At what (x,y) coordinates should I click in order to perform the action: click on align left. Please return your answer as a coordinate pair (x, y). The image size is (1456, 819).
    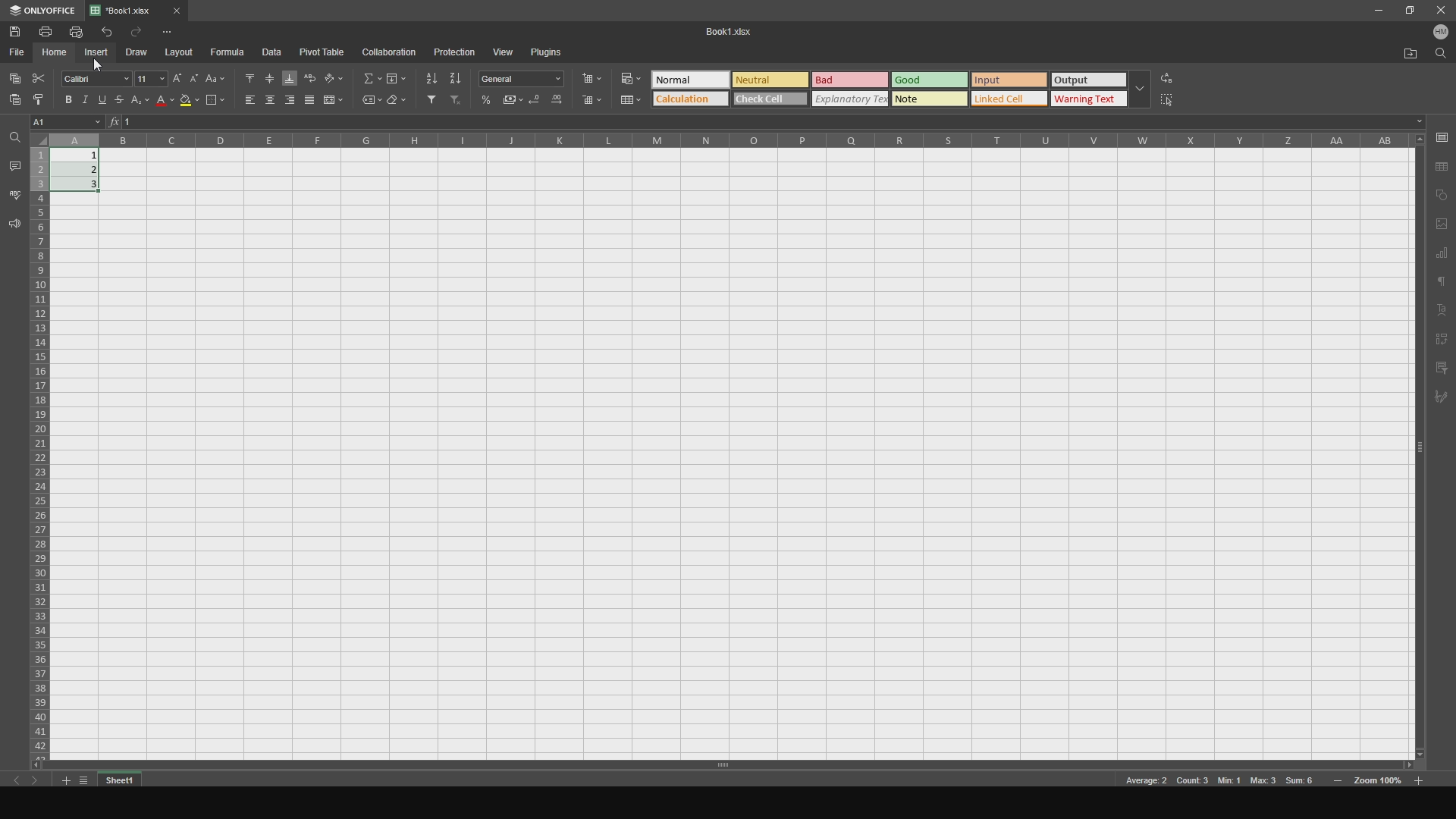
    Looking at the image, I should click on (244, 101).